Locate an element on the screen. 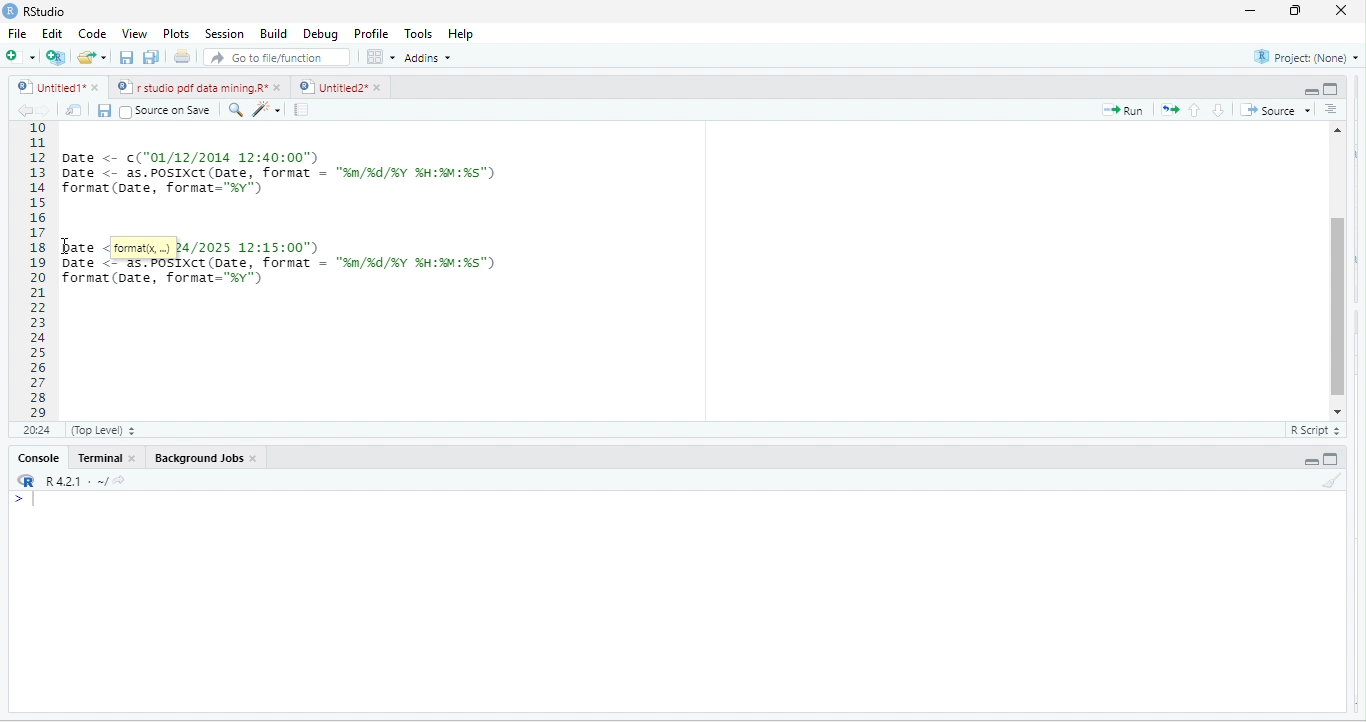 The width and height of the screenshot is (1366, 722). Edit is located at coordinates (52, 36).